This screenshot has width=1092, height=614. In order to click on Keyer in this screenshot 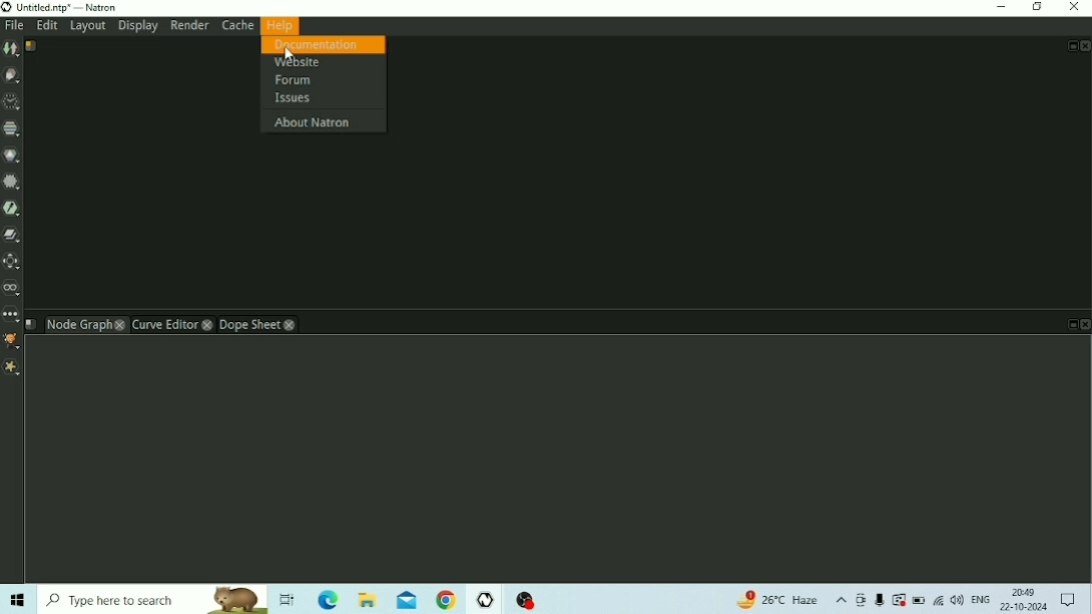, I will do `click(13, 210)`.